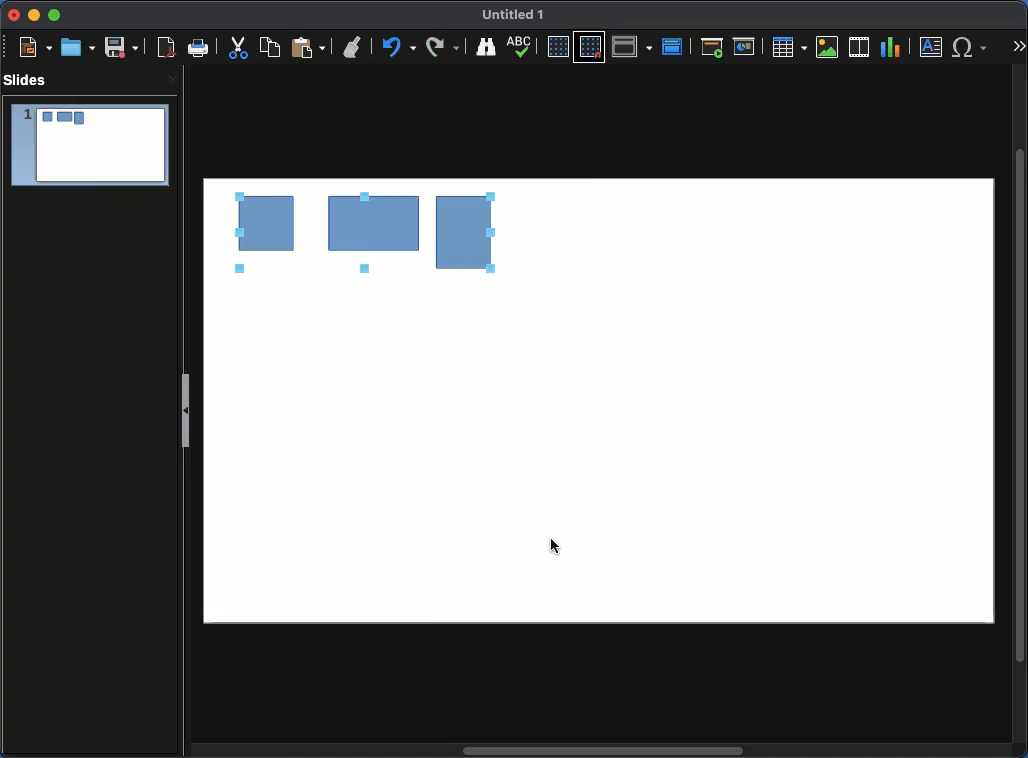 The image size is (1028, 758). I want to click on Finder, so click(487, 47).